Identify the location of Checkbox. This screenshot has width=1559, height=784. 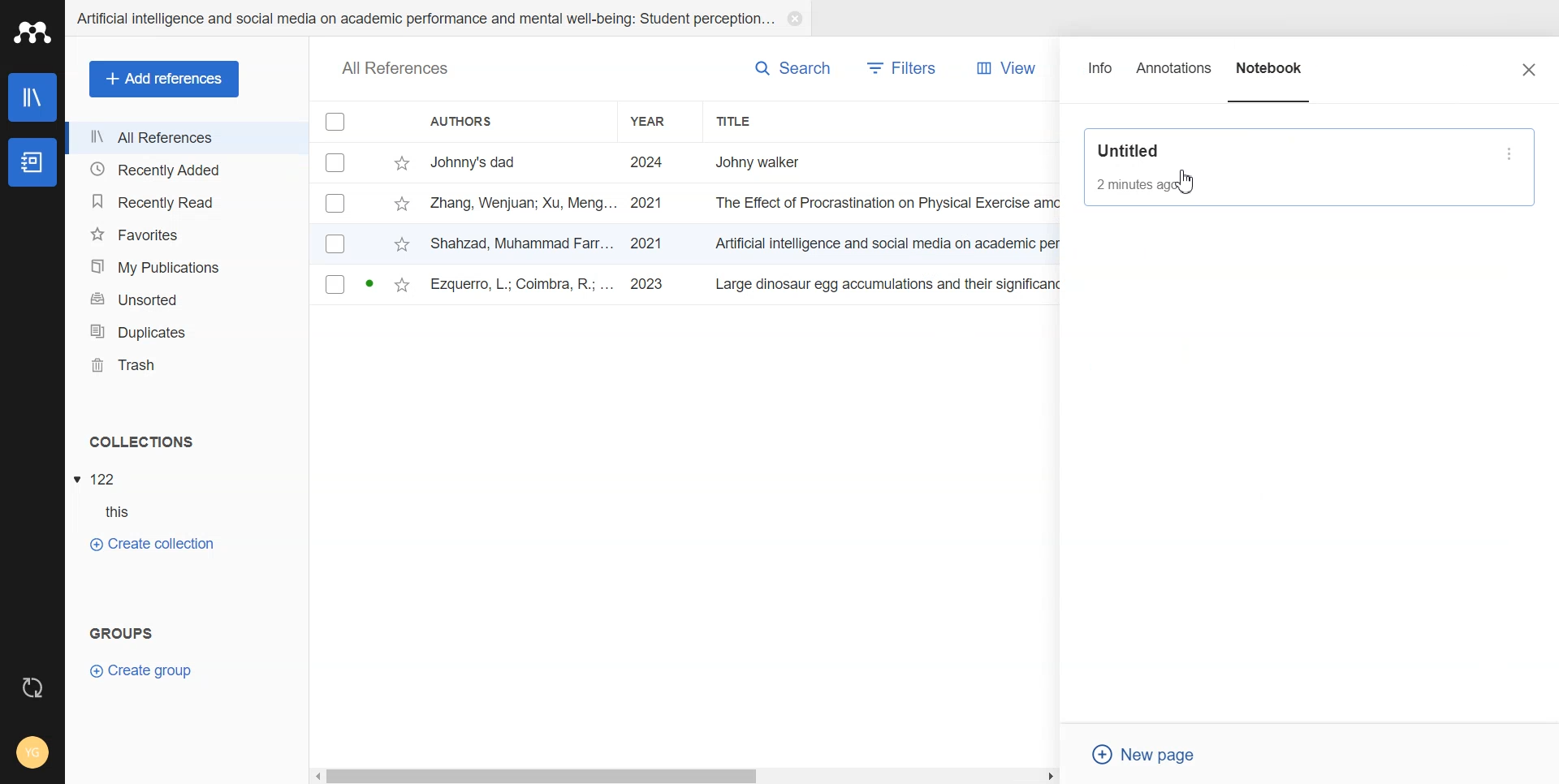
(336, 243).